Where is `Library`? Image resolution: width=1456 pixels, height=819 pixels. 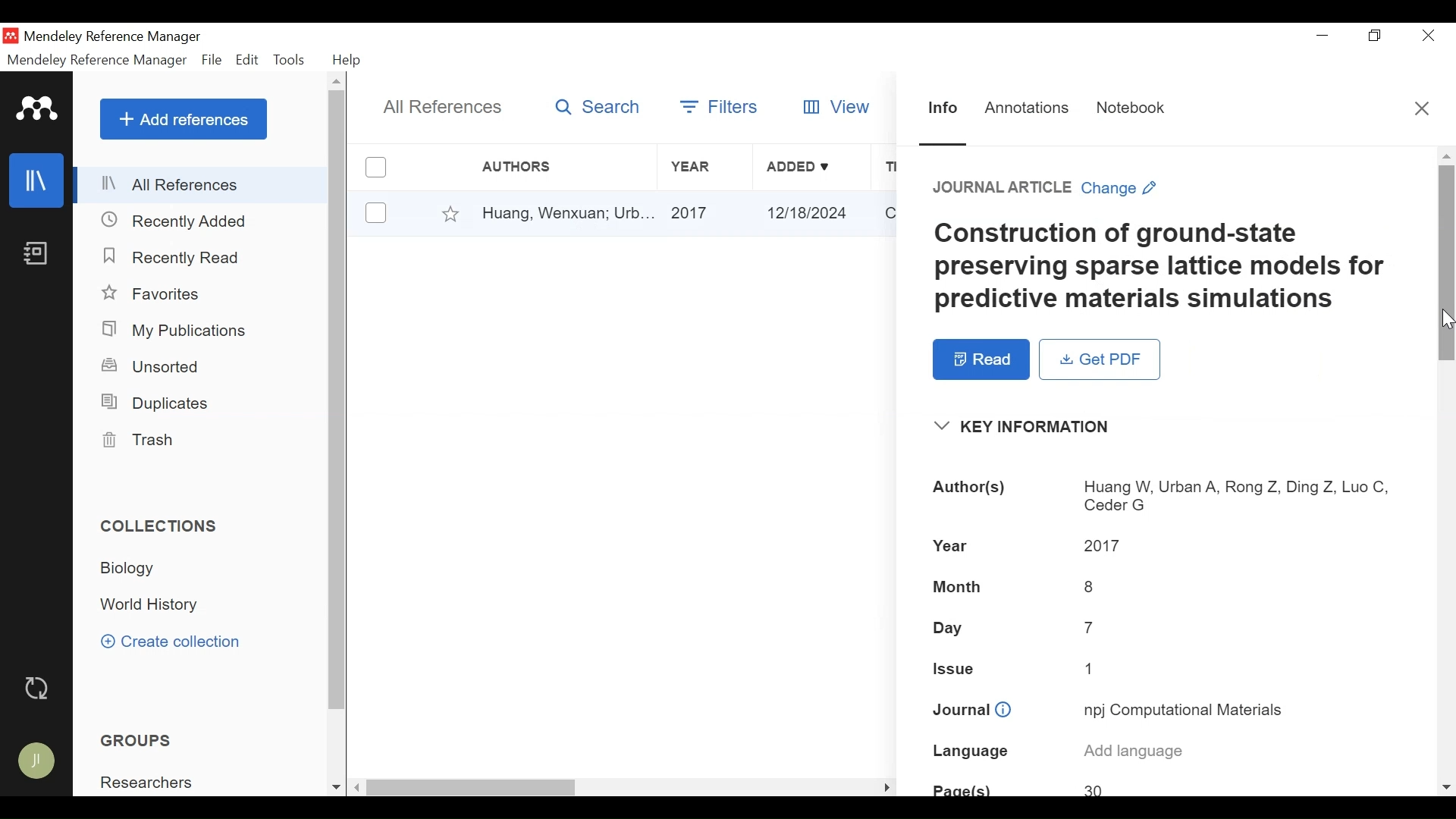 Library is located at coordinates (39, 180).